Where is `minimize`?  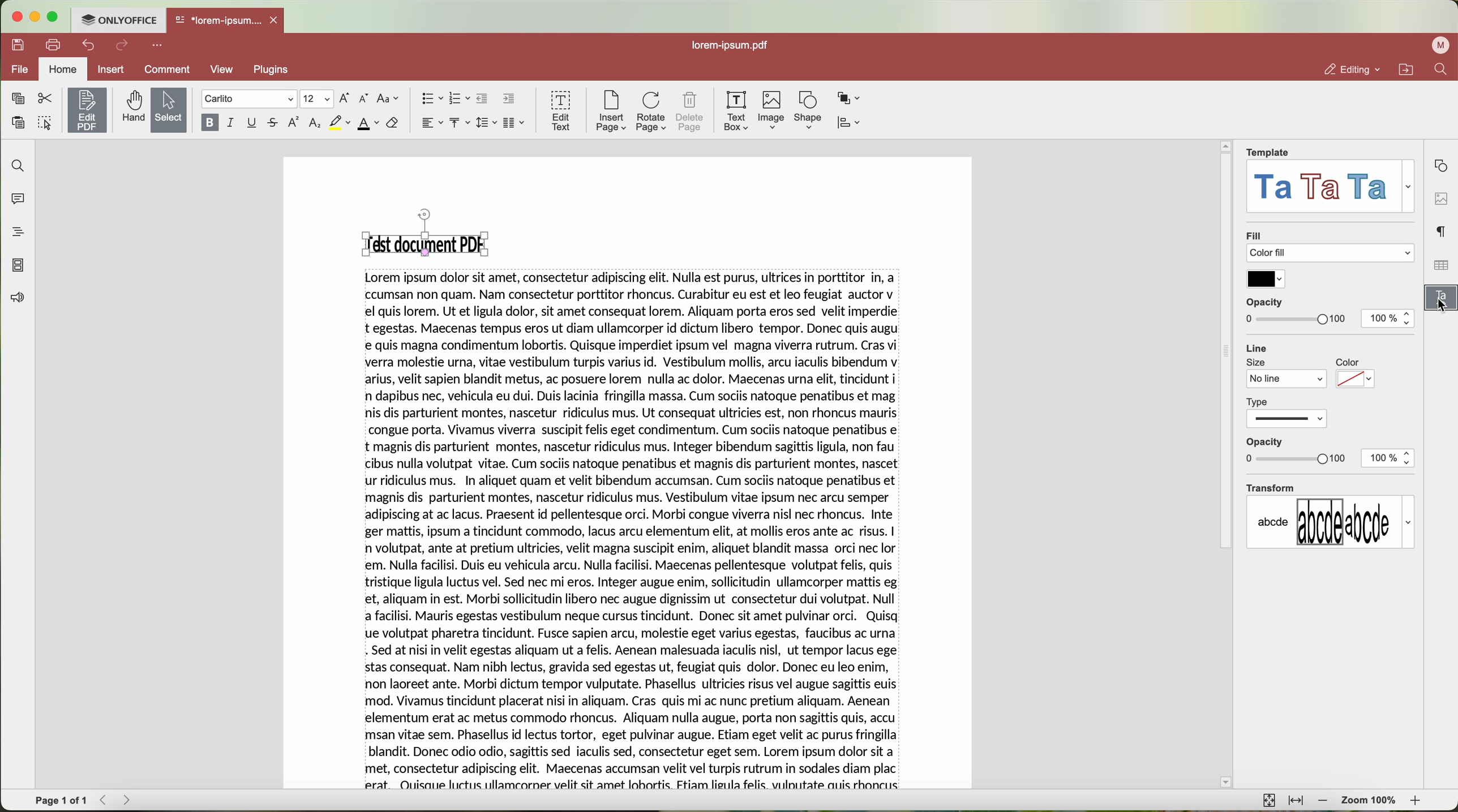 minimize is located at coordinates (37, 17).